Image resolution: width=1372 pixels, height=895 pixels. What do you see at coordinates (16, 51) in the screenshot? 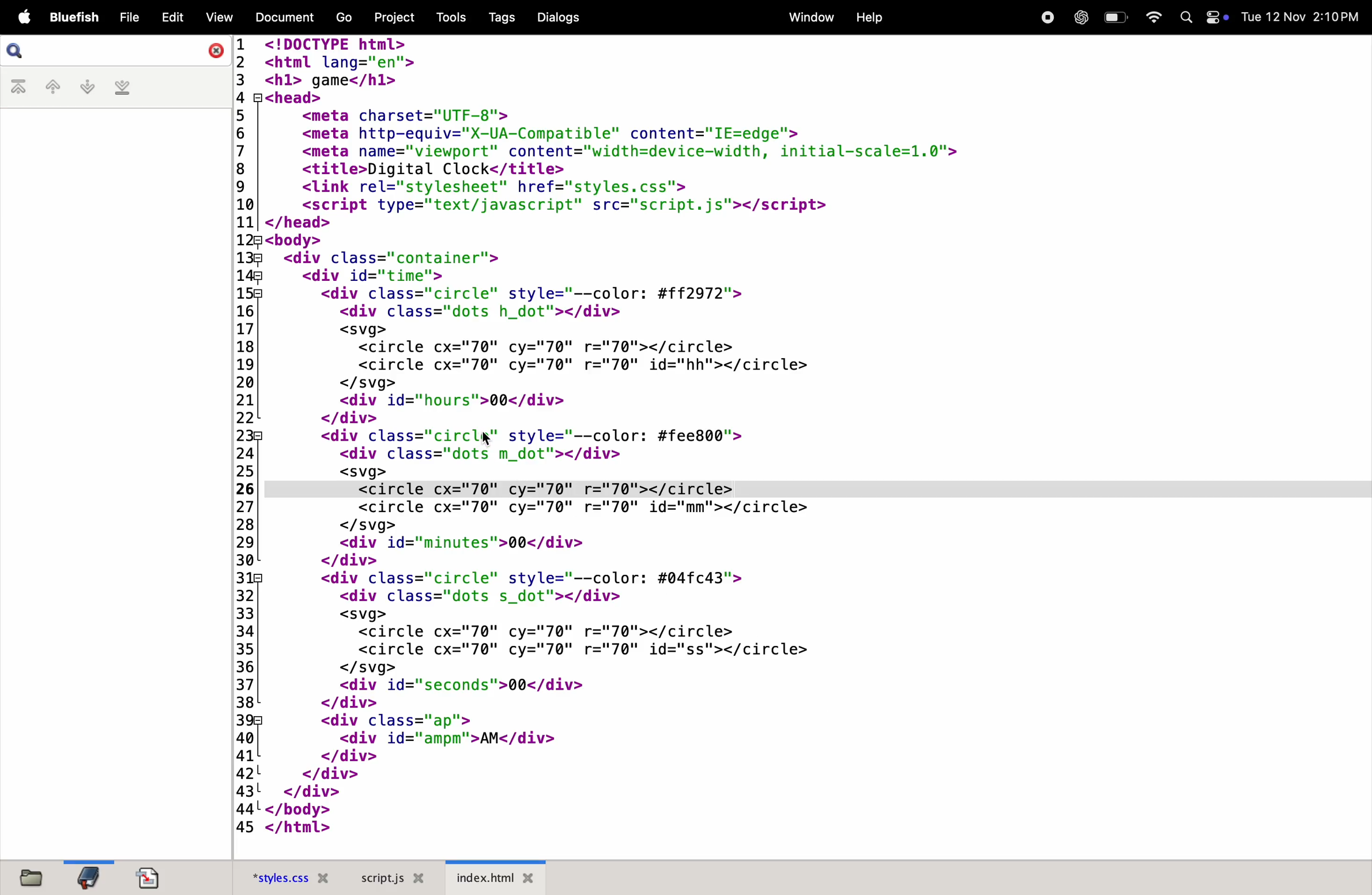
I see `search bar` at bounding box center [16, 51].